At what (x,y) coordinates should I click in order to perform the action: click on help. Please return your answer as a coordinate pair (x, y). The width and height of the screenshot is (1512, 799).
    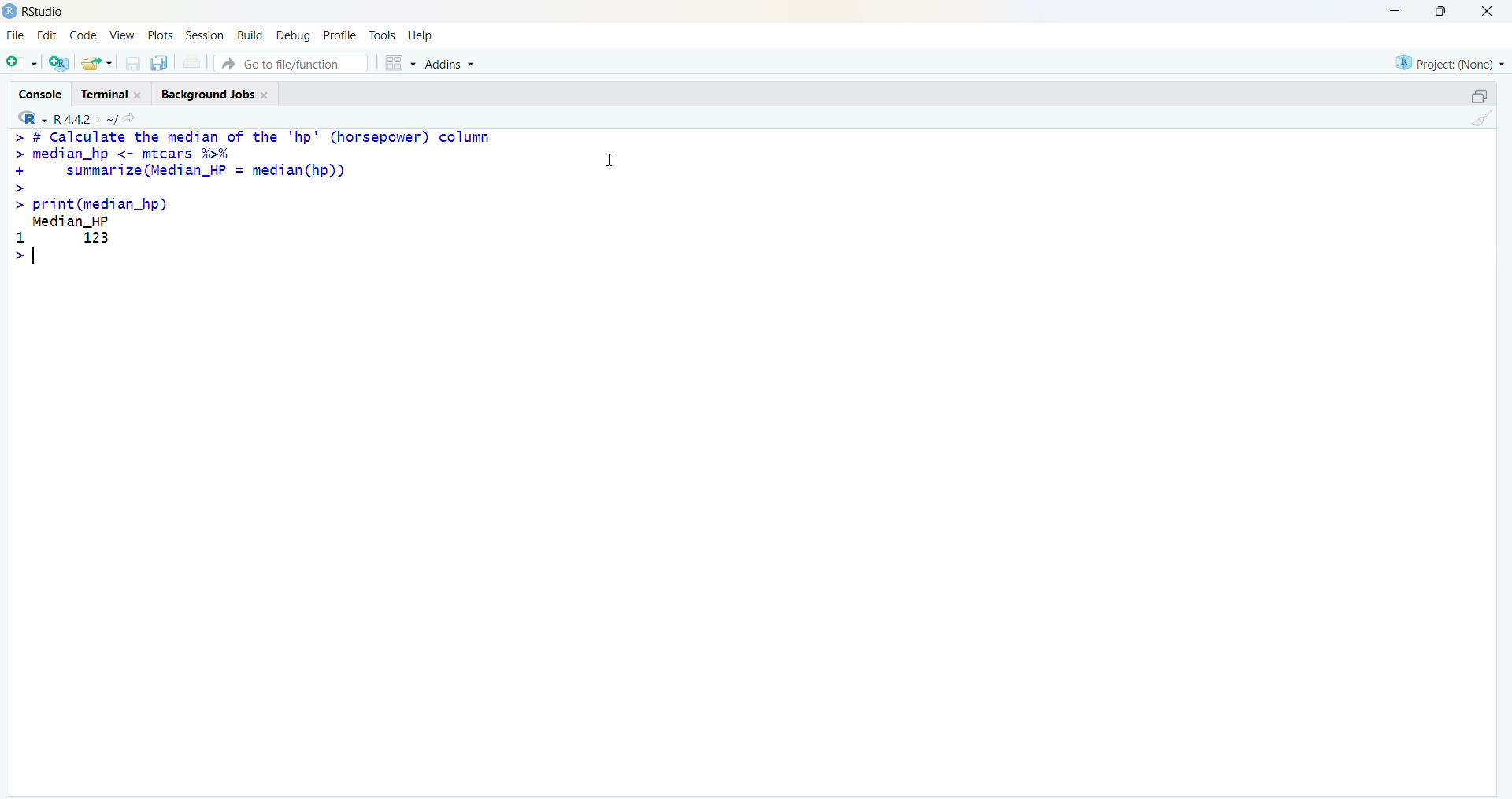
    Looking at the image, I should click on (422, 36).